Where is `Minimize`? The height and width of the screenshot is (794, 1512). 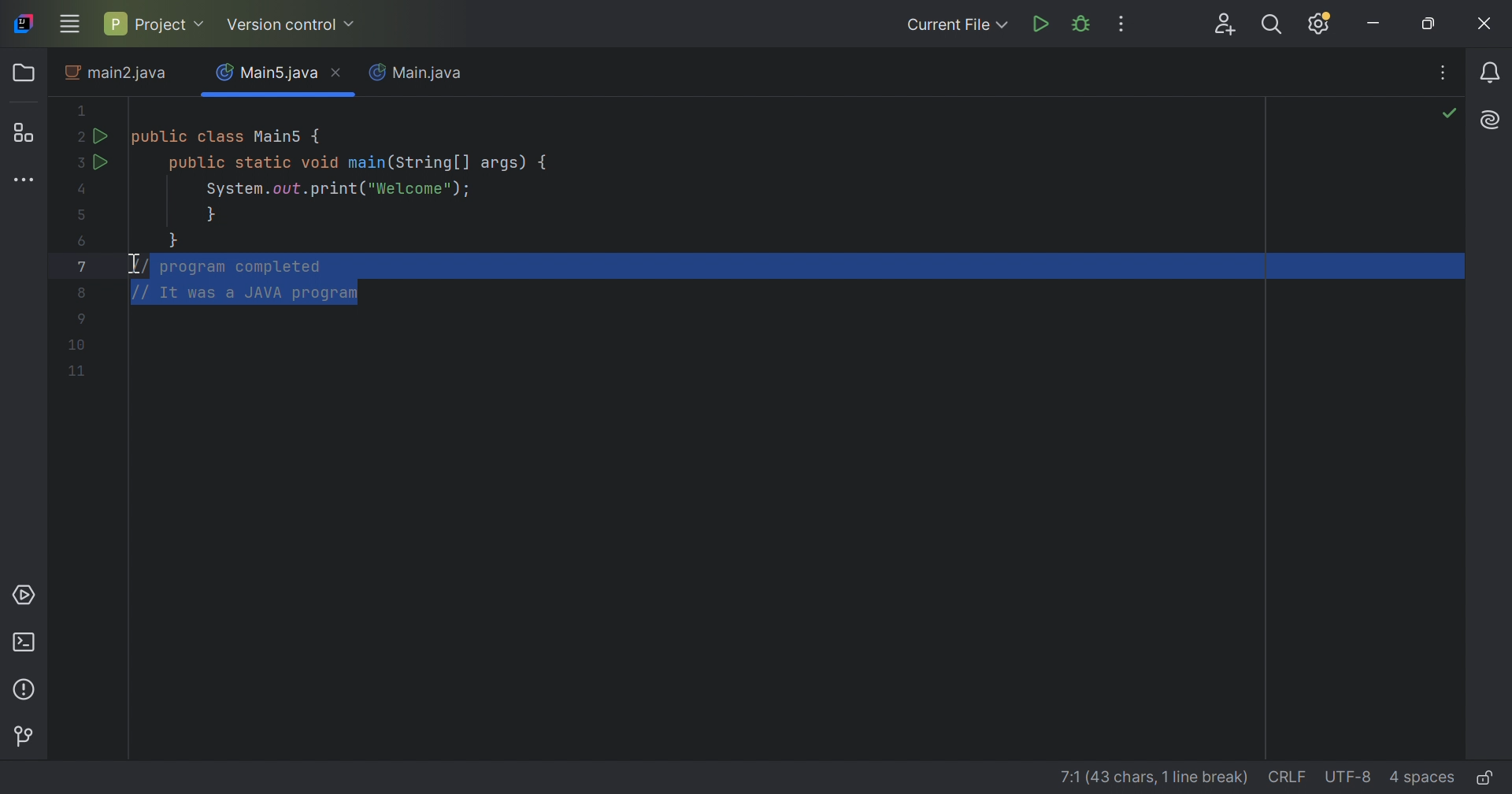 Minimize is located at coordinates (1373, 28).